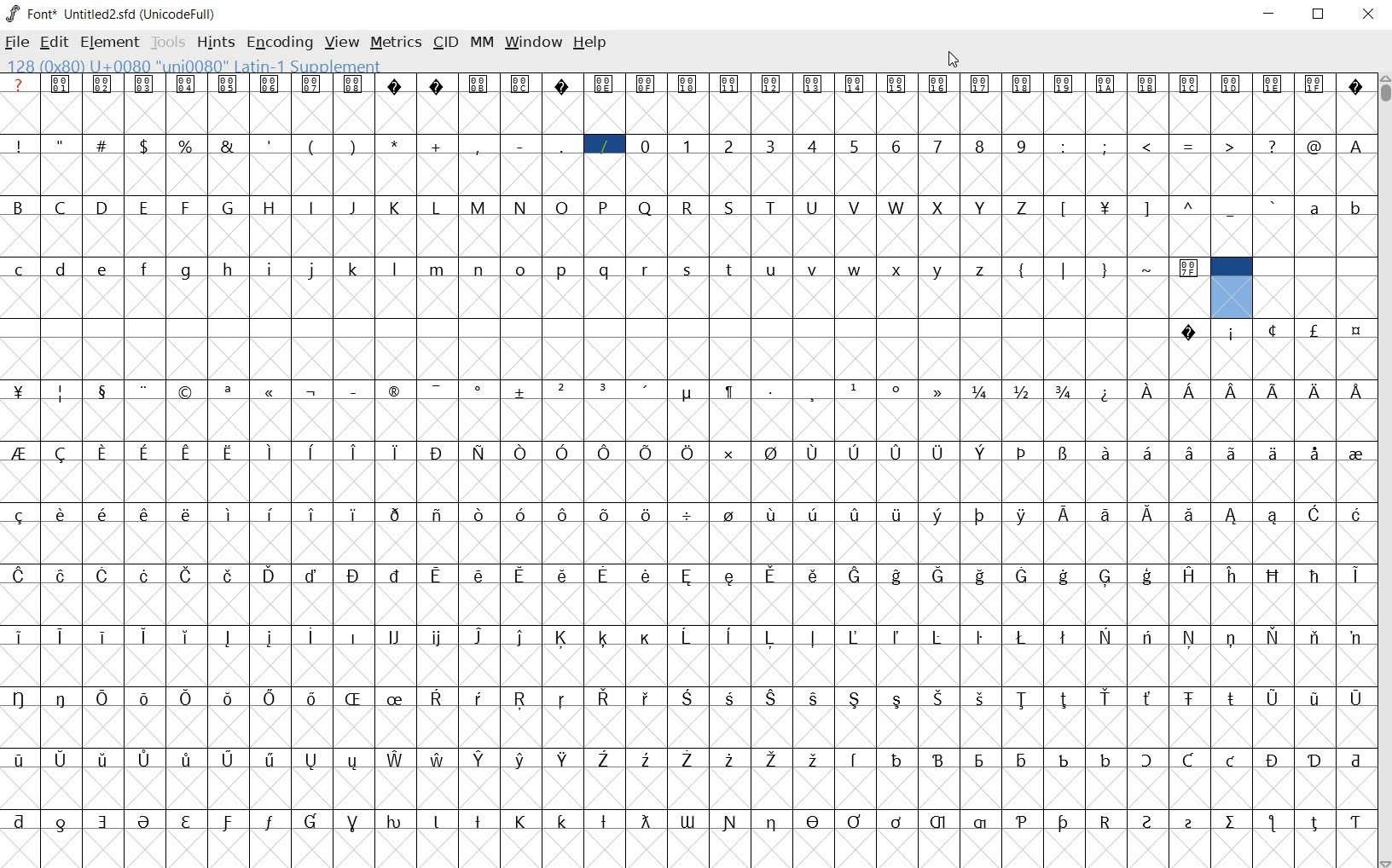  Describe the element at coordinates (17, 760) in the screenshot. I see `Symbol` at that location.